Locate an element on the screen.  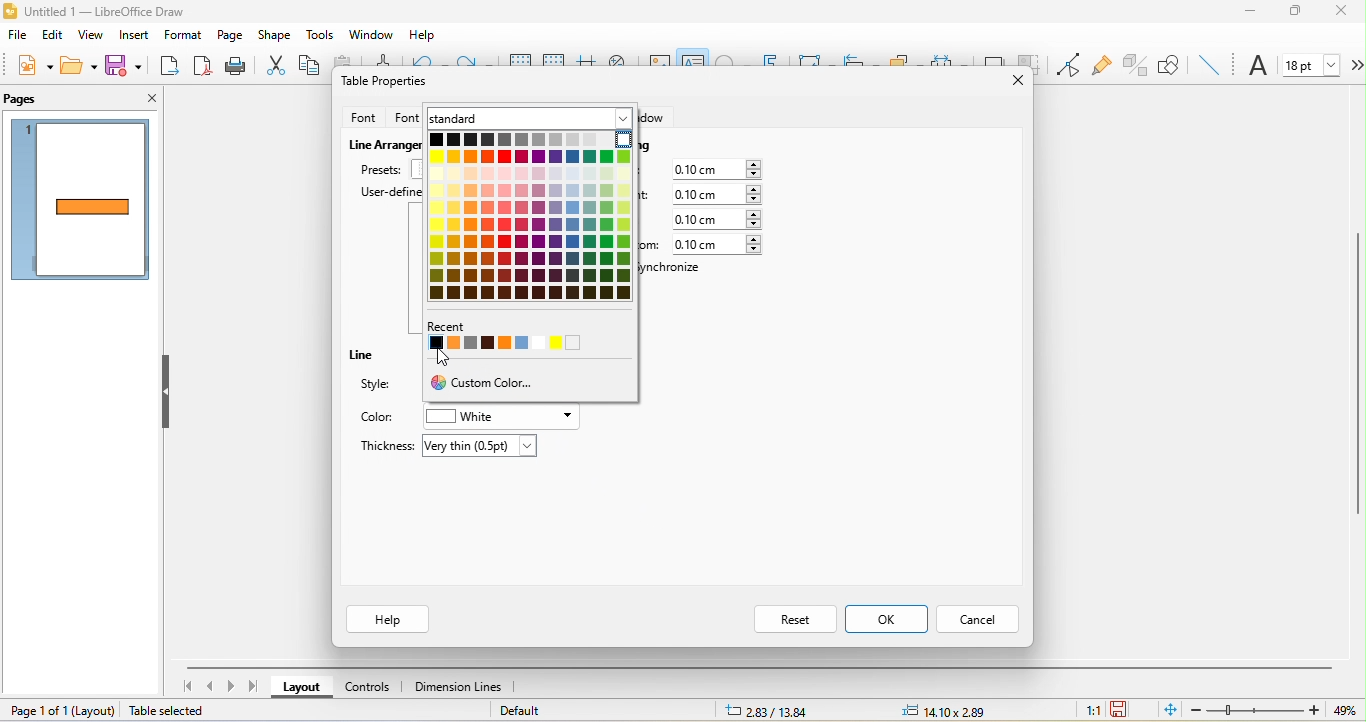
cancel is located at coordinates (980, 619).